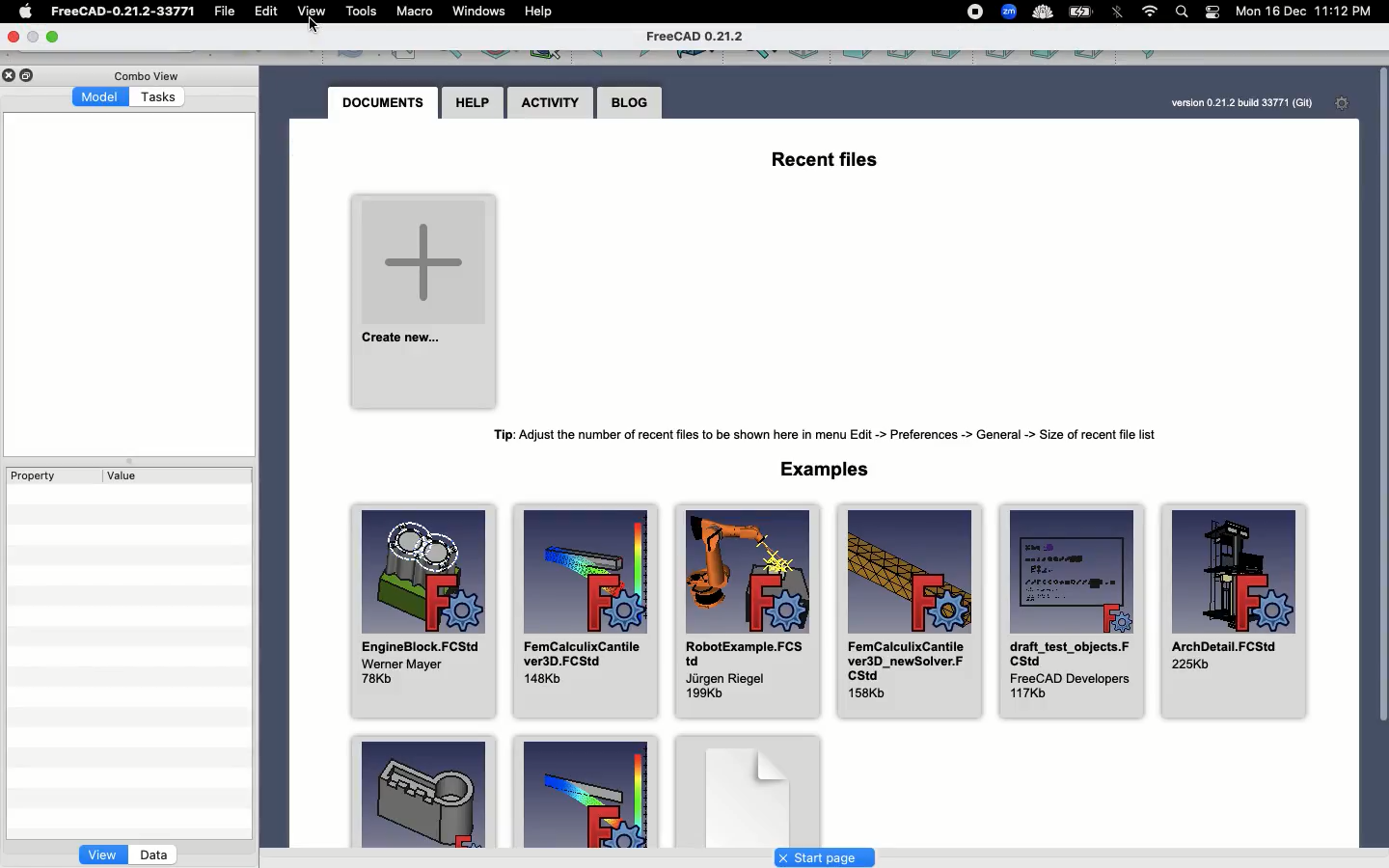 The image size is (1389, 868). I want to click on Internet, so click(1151, 12).